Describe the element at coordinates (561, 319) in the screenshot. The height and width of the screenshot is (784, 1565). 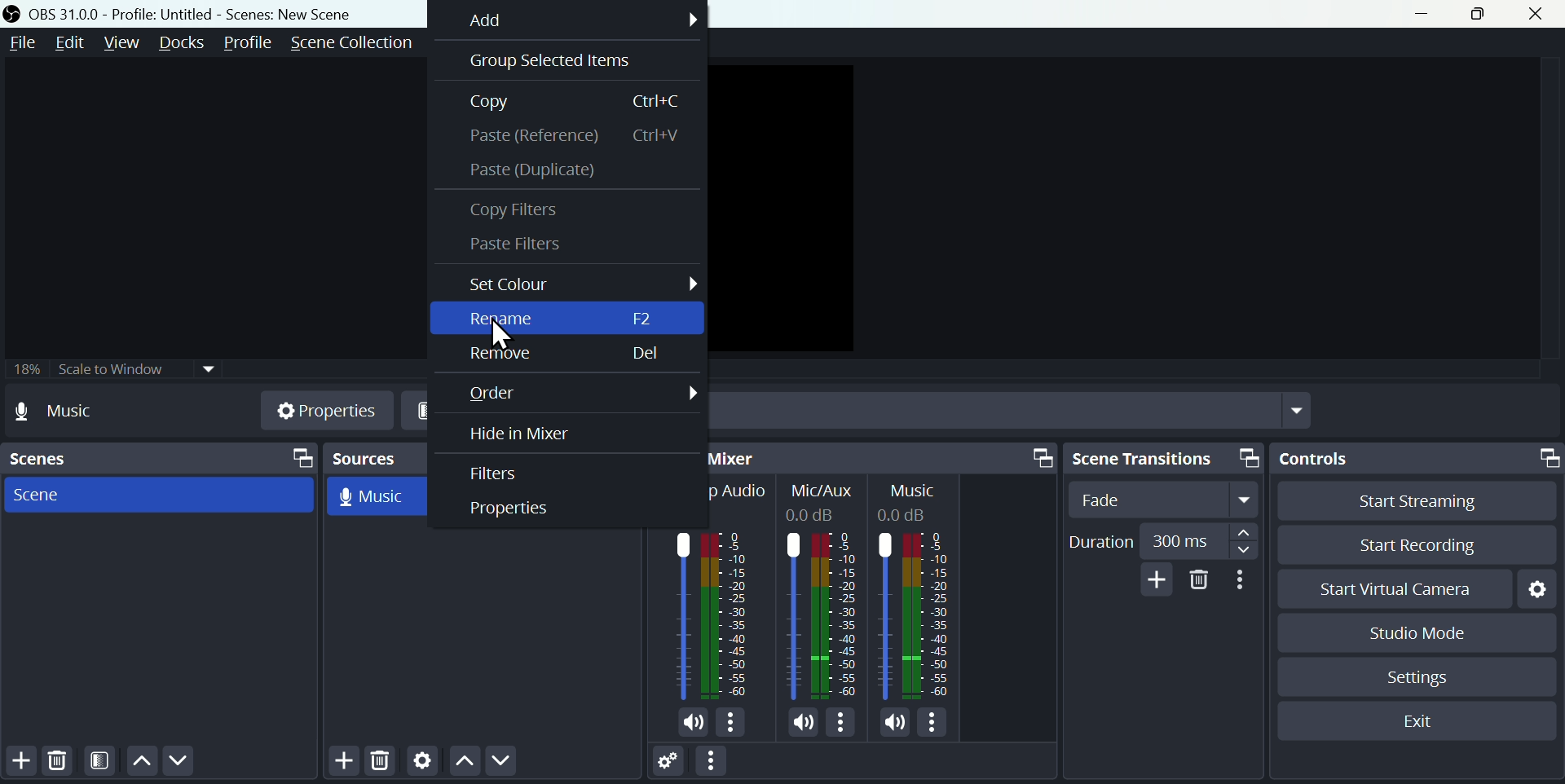
I see `Rename` at that location.